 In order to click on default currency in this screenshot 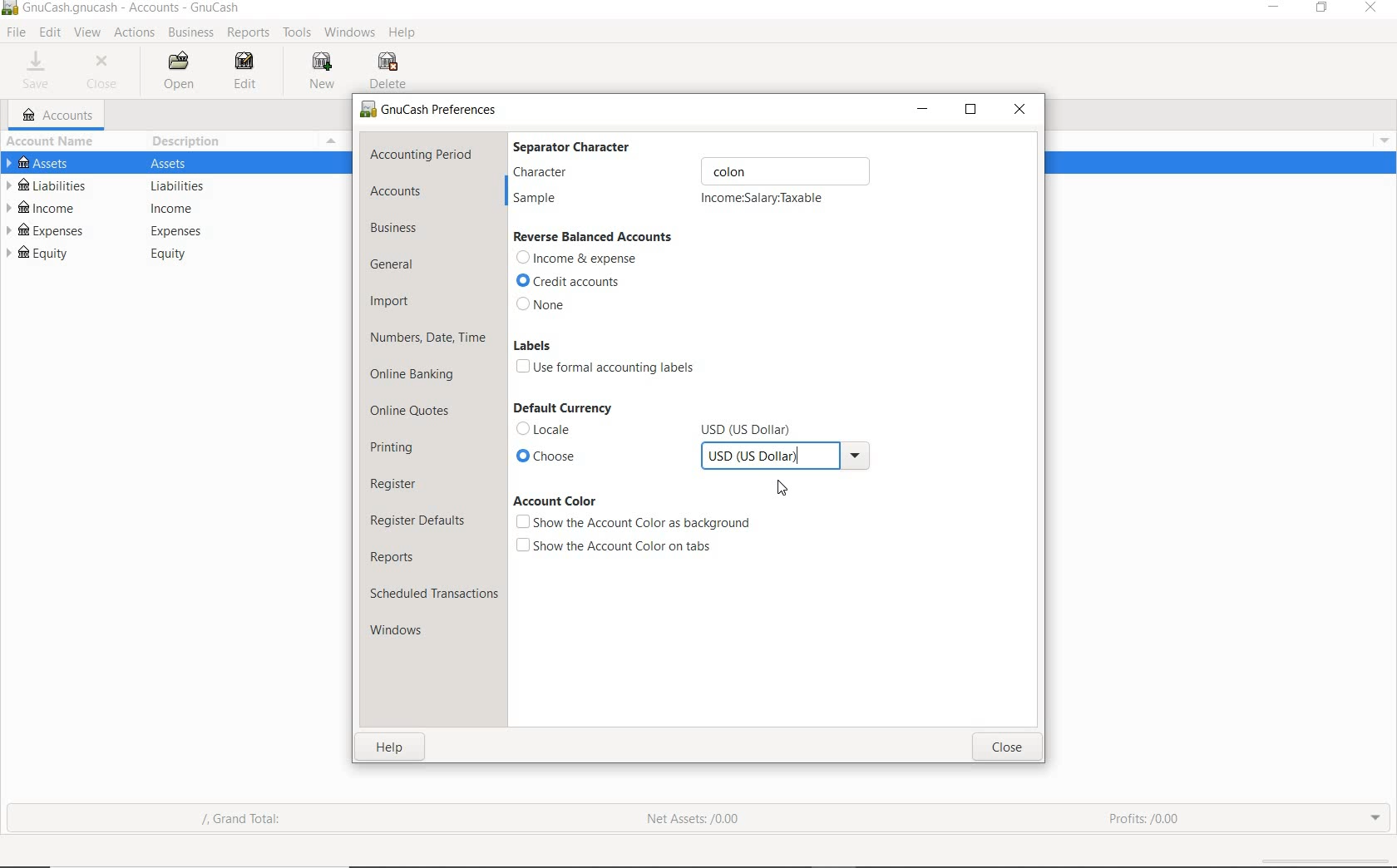, I will do `click(561, 408)`.